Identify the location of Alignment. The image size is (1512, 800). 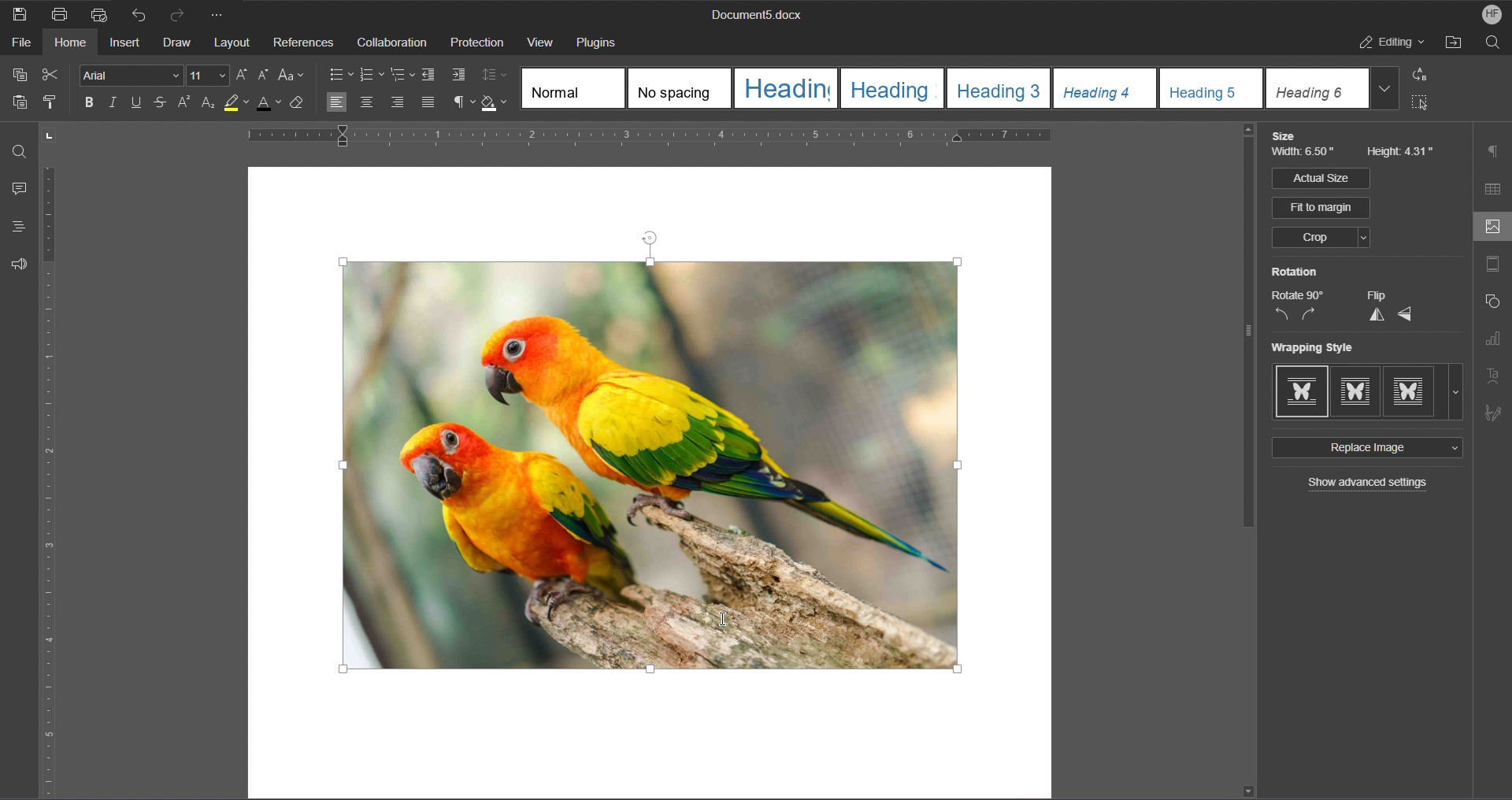
(380, 103).